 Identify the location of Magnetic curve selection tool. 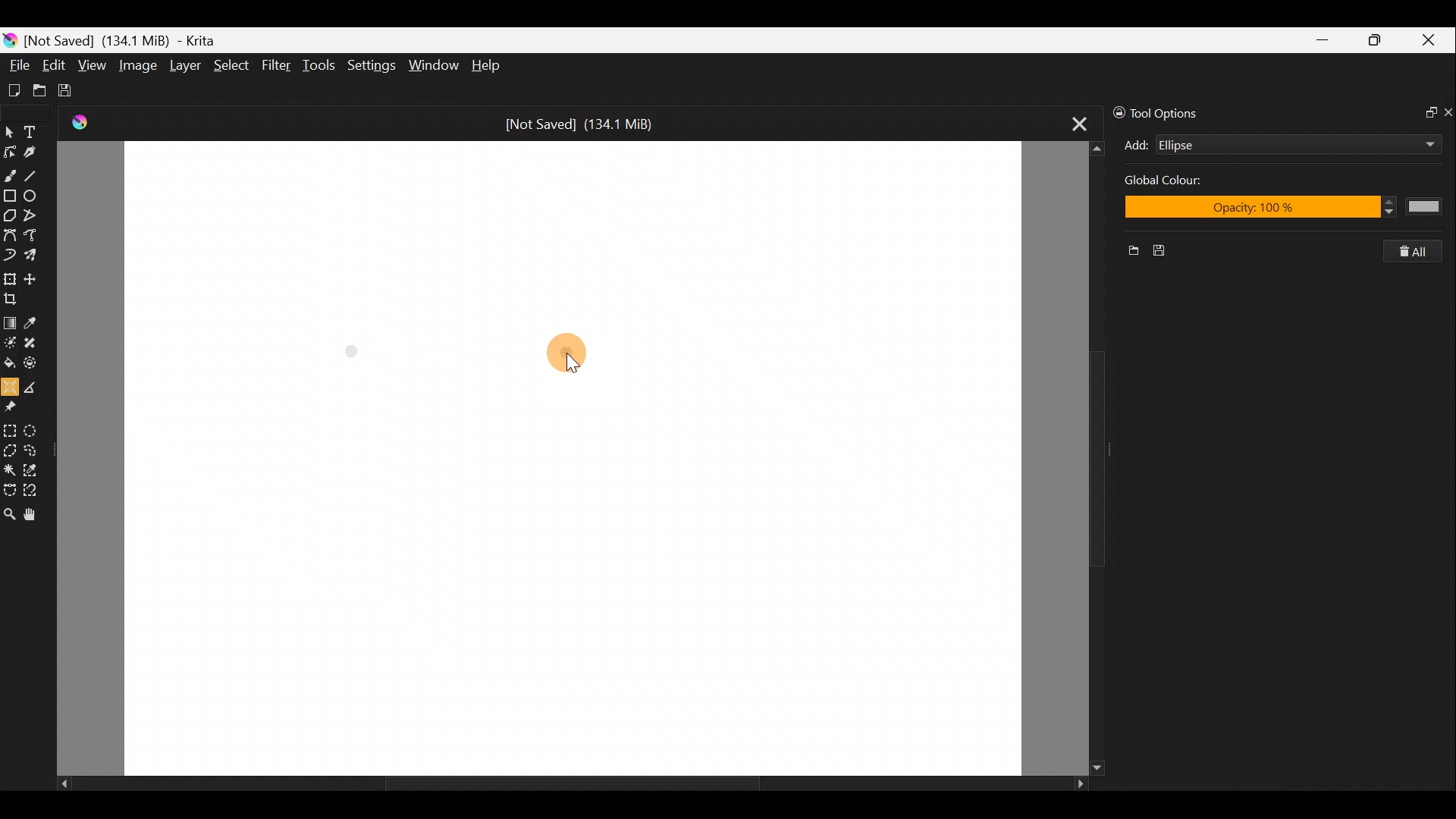
(36, 488).